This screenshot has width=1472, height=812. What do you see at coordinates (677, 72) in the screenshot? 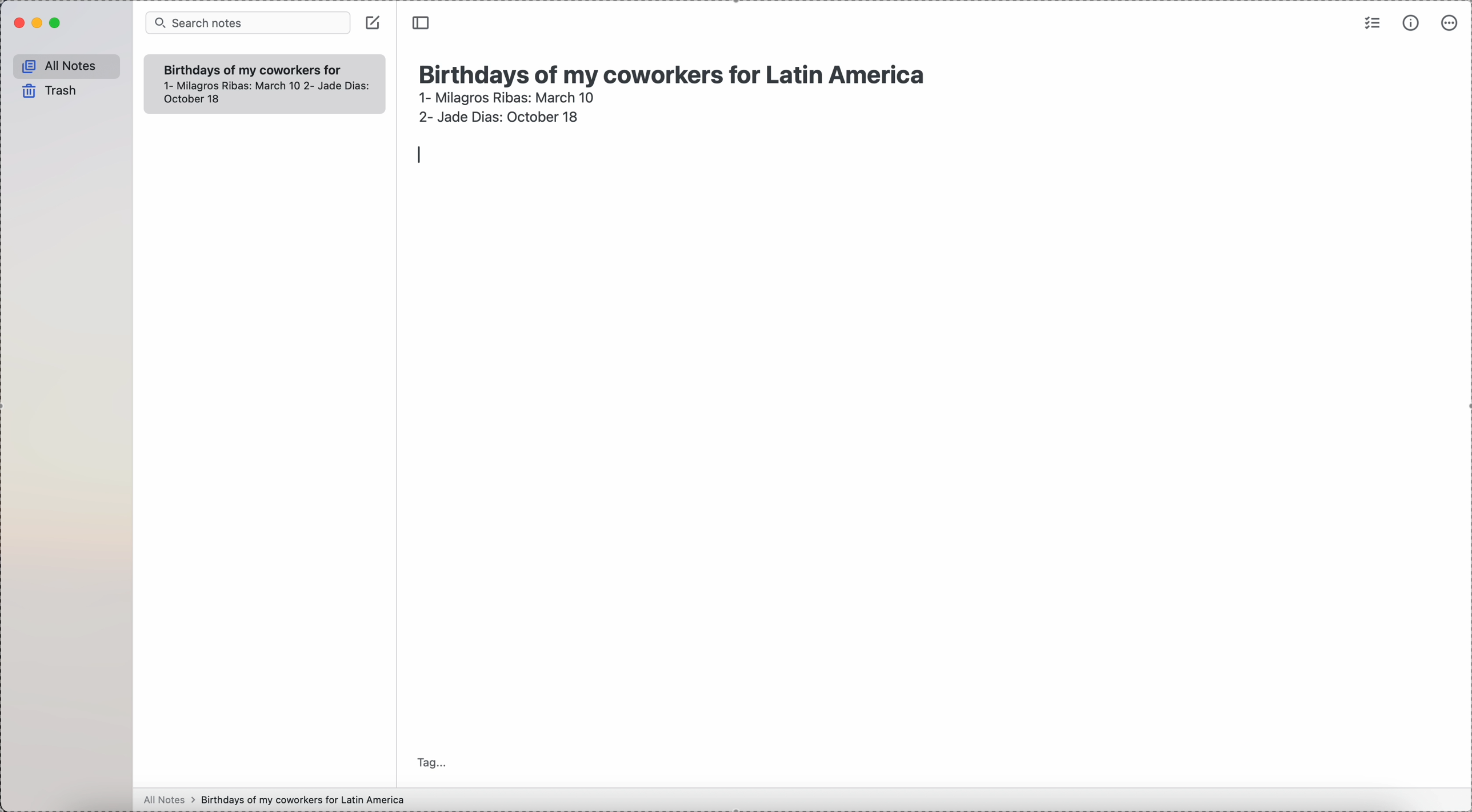
I see `Birthdays of my coworkers for Latin America` at bounding box center [677, 72].